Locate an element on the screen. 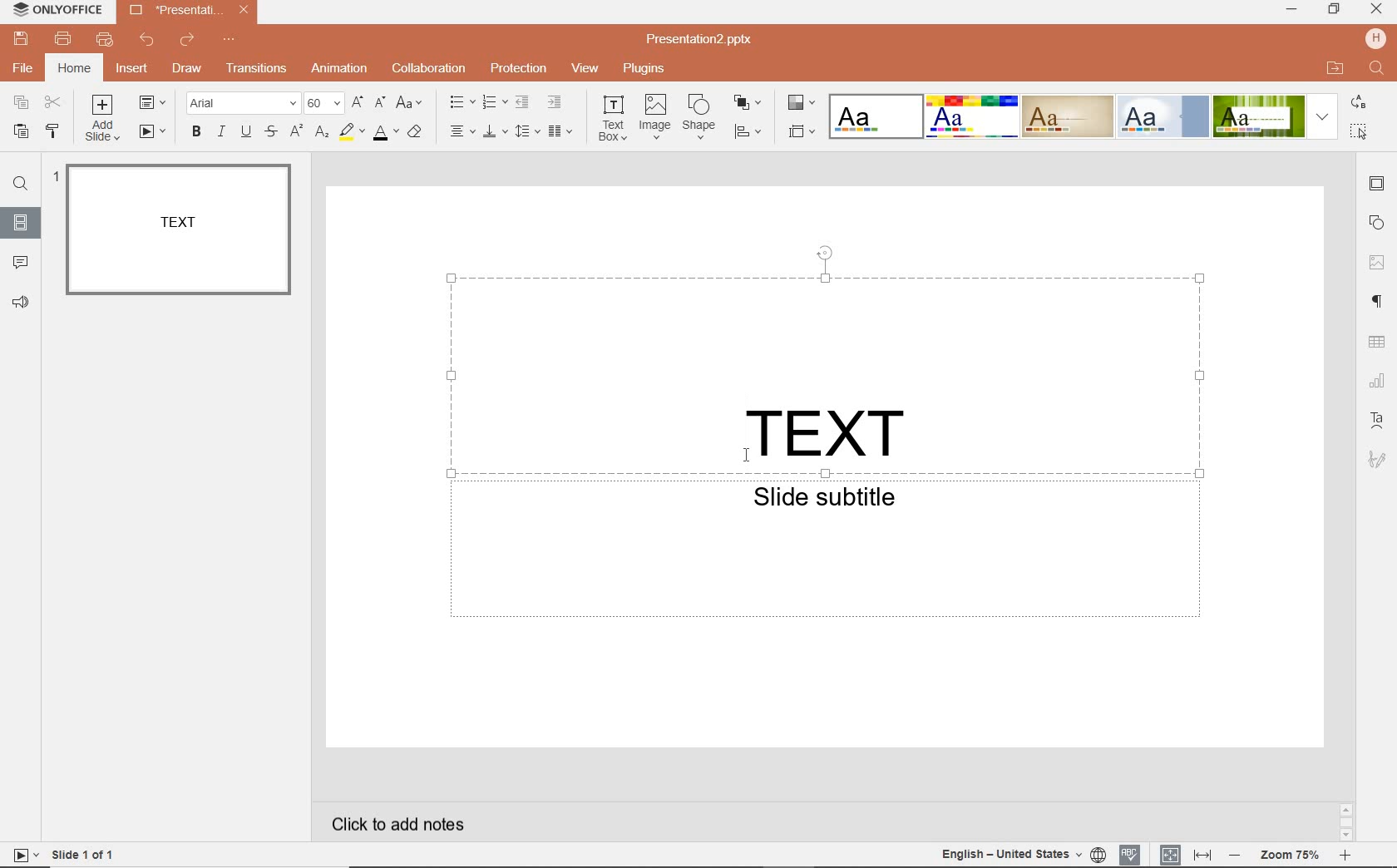 The width and height of the screenshot is (1397, 868). TEXT FIELD is located at coordinates (827, 370).